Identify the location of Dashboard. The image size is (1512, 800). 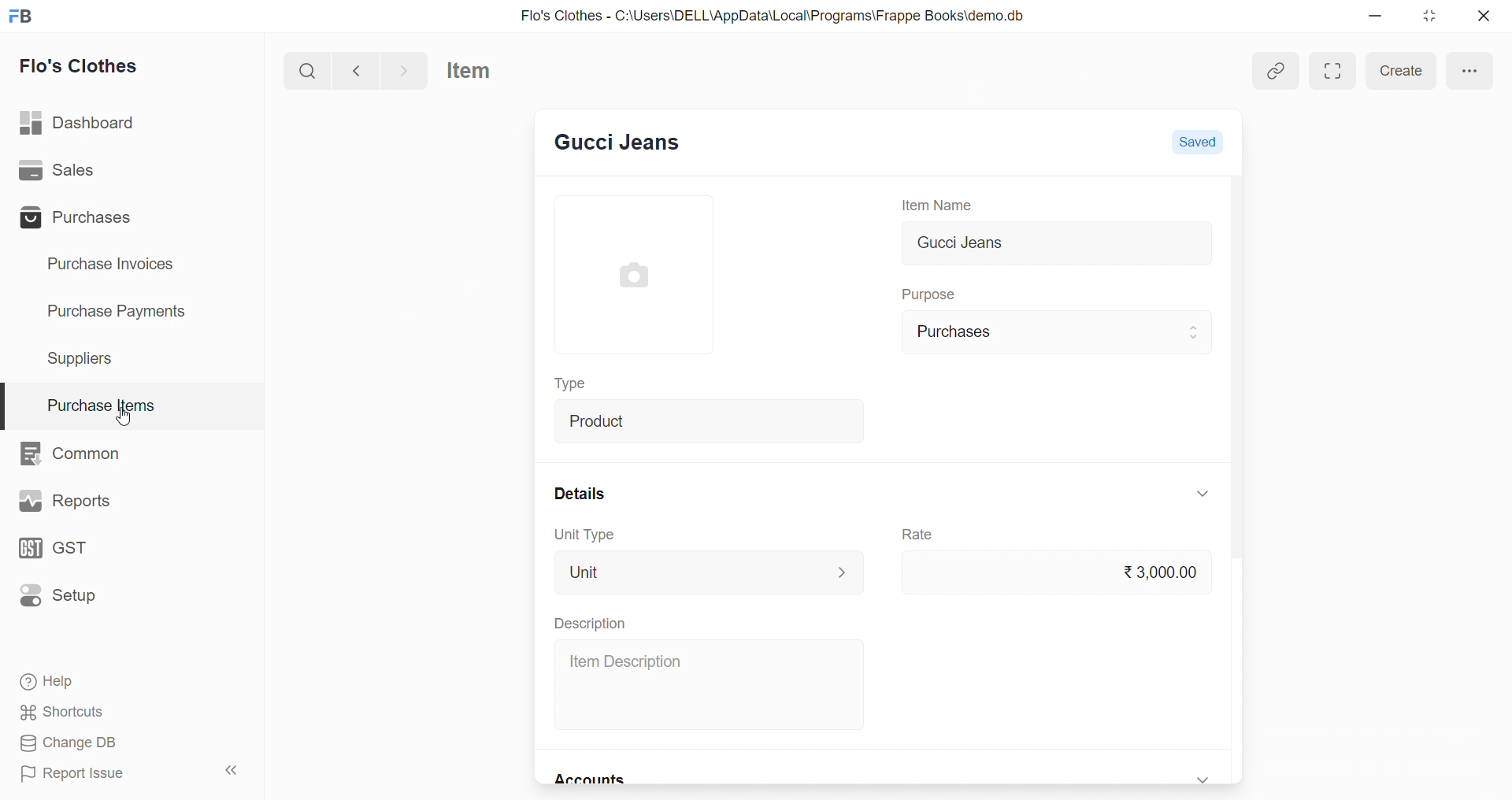
(84, 120).